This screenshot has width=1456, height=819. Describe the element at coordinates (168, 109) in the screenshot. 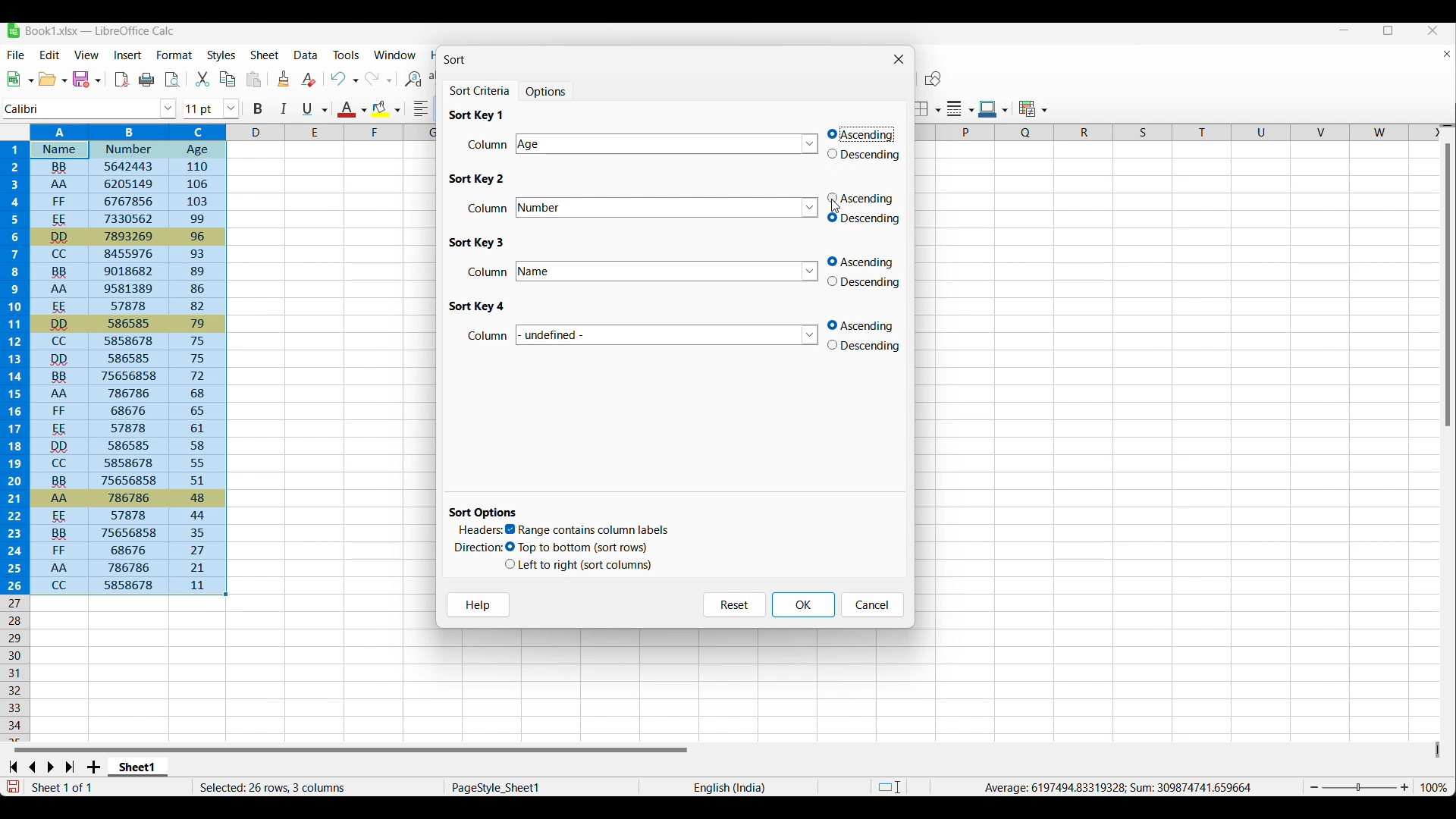

I see `Font options` at that location.